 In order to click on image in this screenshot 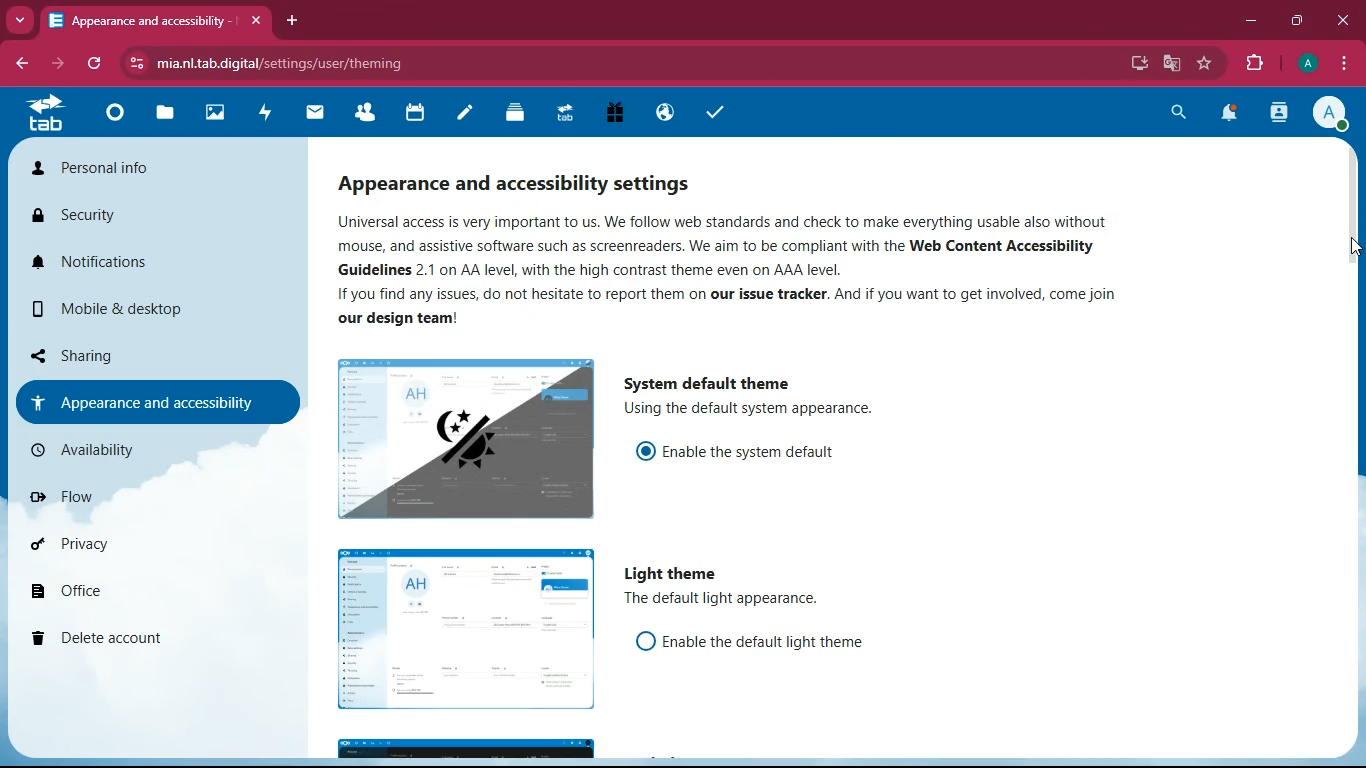, I will do `click(465, 749)`.